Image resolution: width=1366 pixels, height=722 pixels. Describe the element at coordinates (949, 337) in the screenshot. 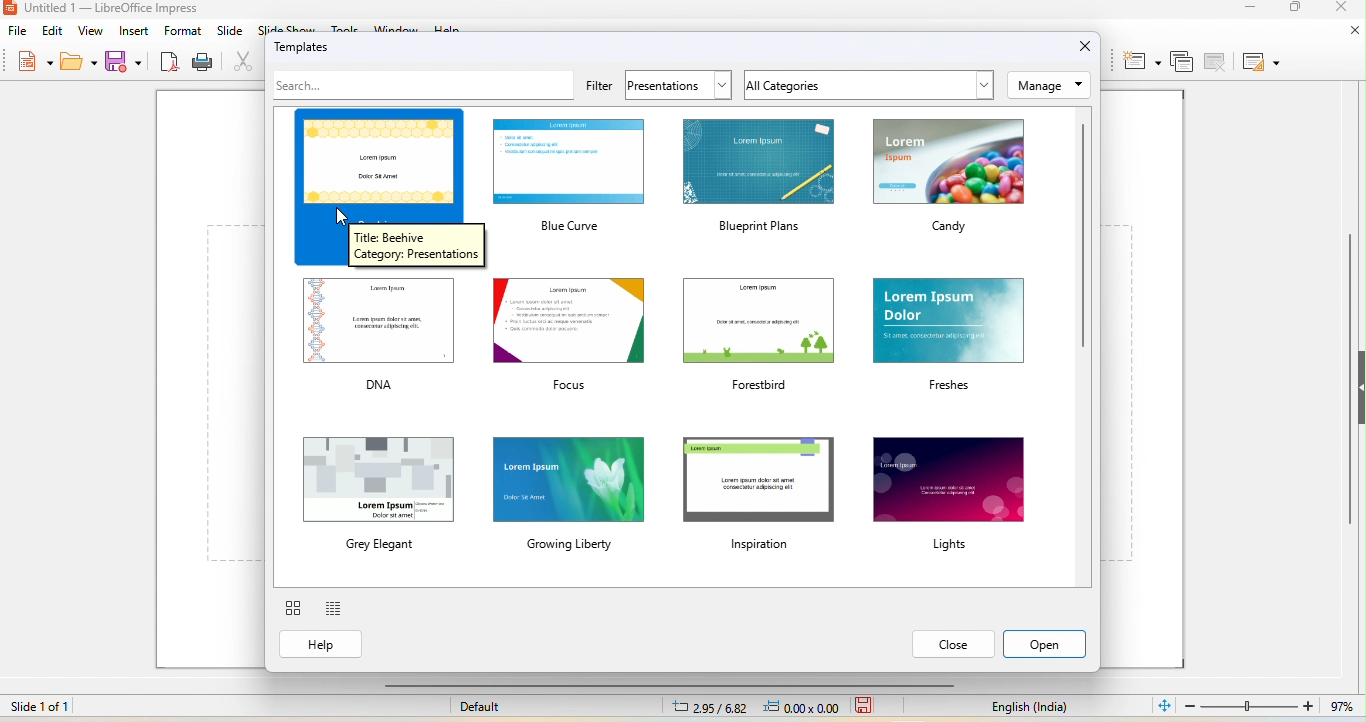

I see `larem ipsum dolor` at that location.